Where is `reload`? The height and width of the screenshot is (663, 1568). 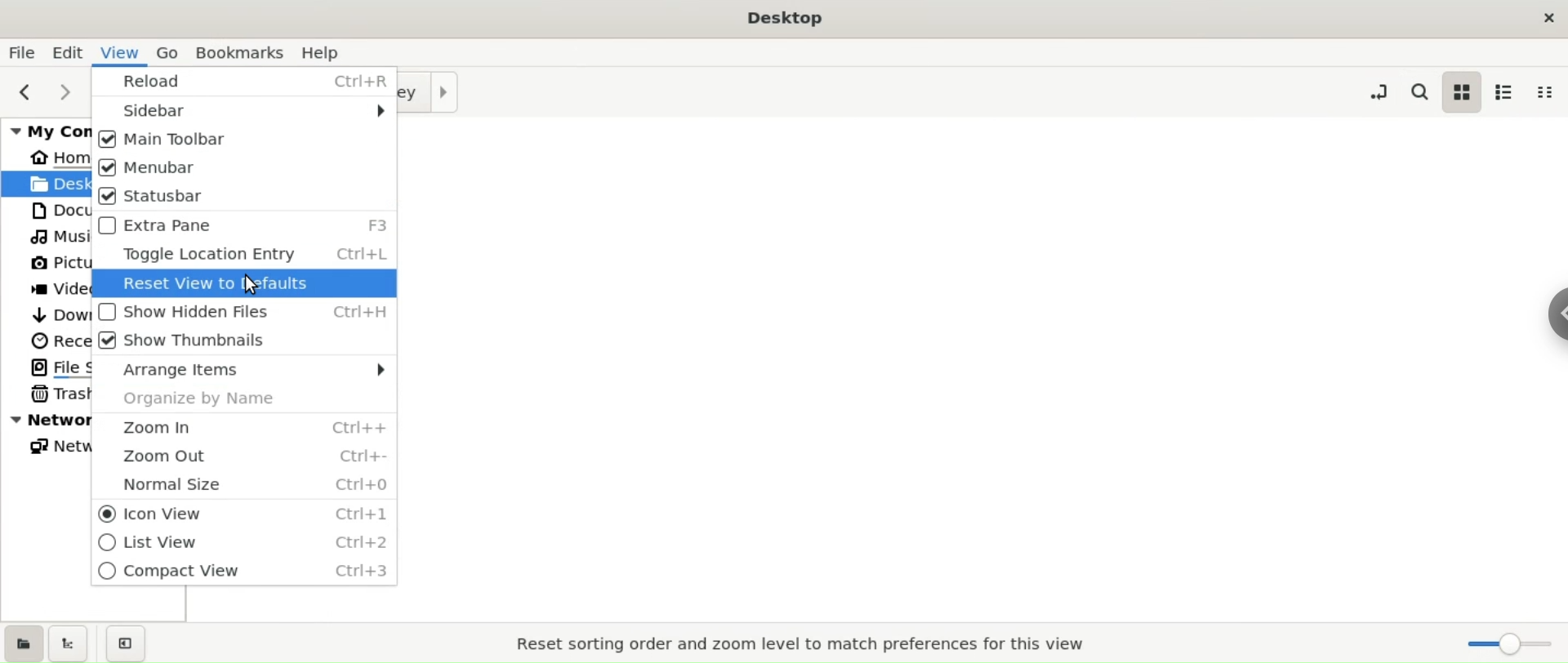 reload is located at coordinates (243, 83).